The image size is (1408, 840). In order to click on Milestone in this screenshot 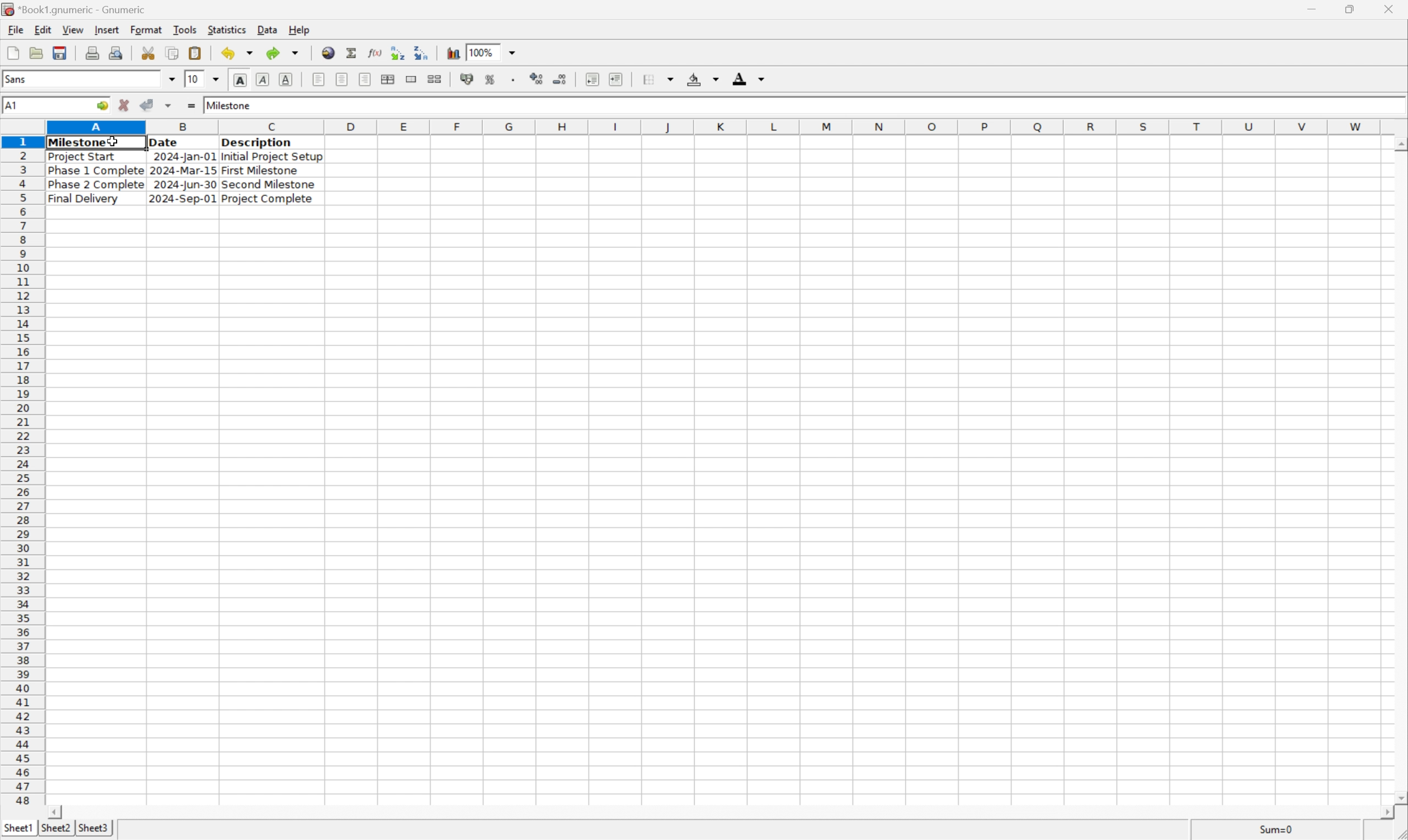, I will do `click(230, 104)`.